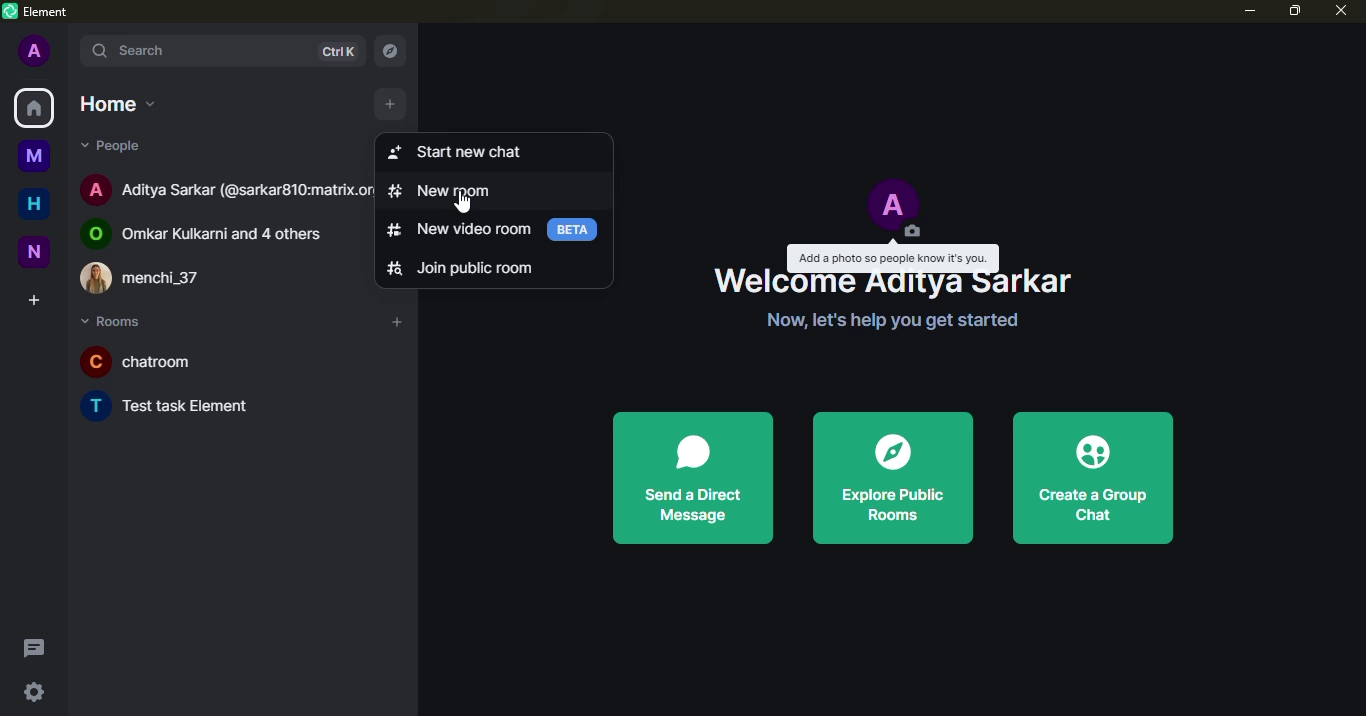 The width and height of the screenshot is (1366, 716). Describe the element at coordinates (1094, 477) in the screenshot. I see `create a group chat` at that location.